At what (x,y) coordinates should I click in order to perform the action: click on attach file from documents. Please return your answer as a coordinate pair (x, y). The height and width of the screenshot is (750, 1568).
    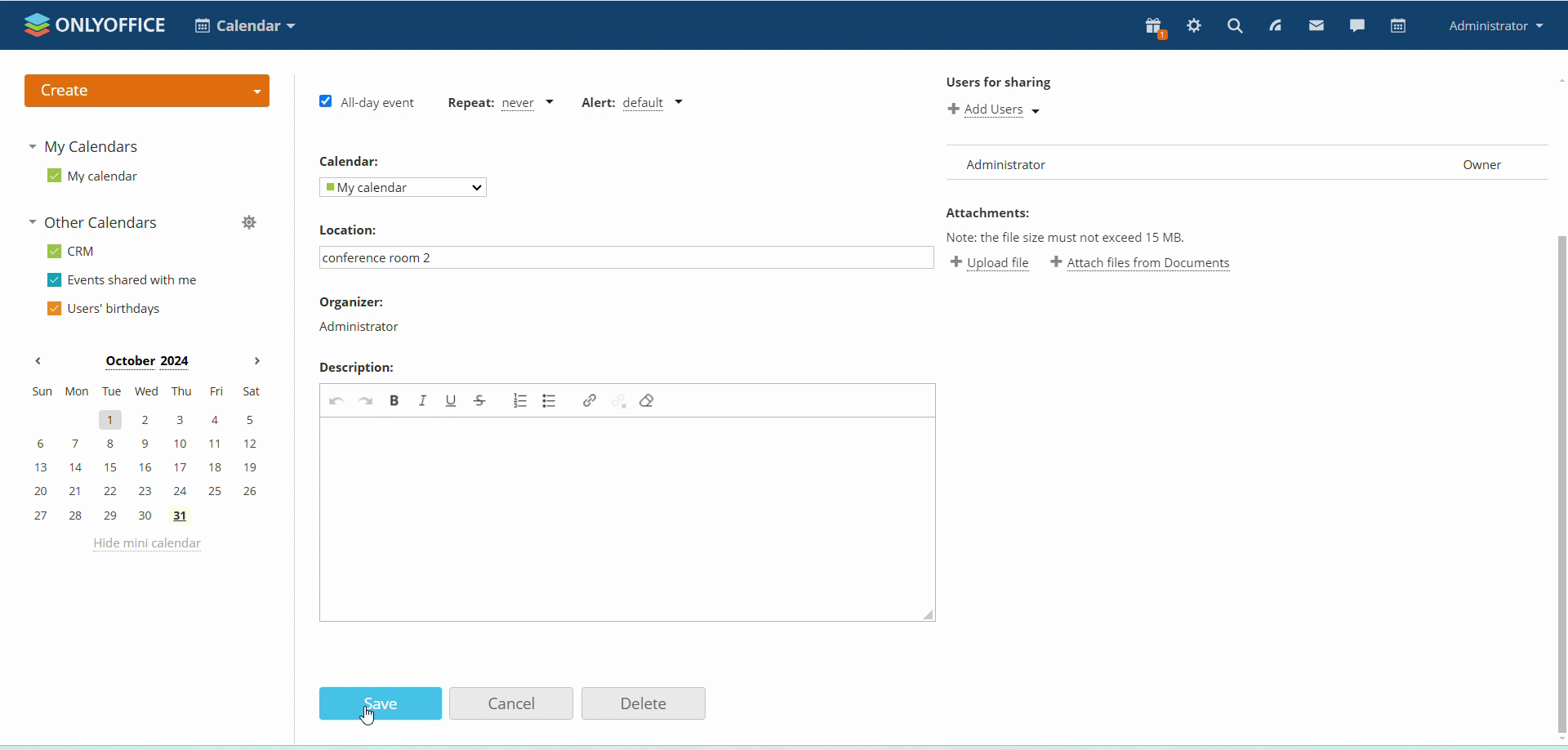
    Looking at the image, I should click on (1146, 262).